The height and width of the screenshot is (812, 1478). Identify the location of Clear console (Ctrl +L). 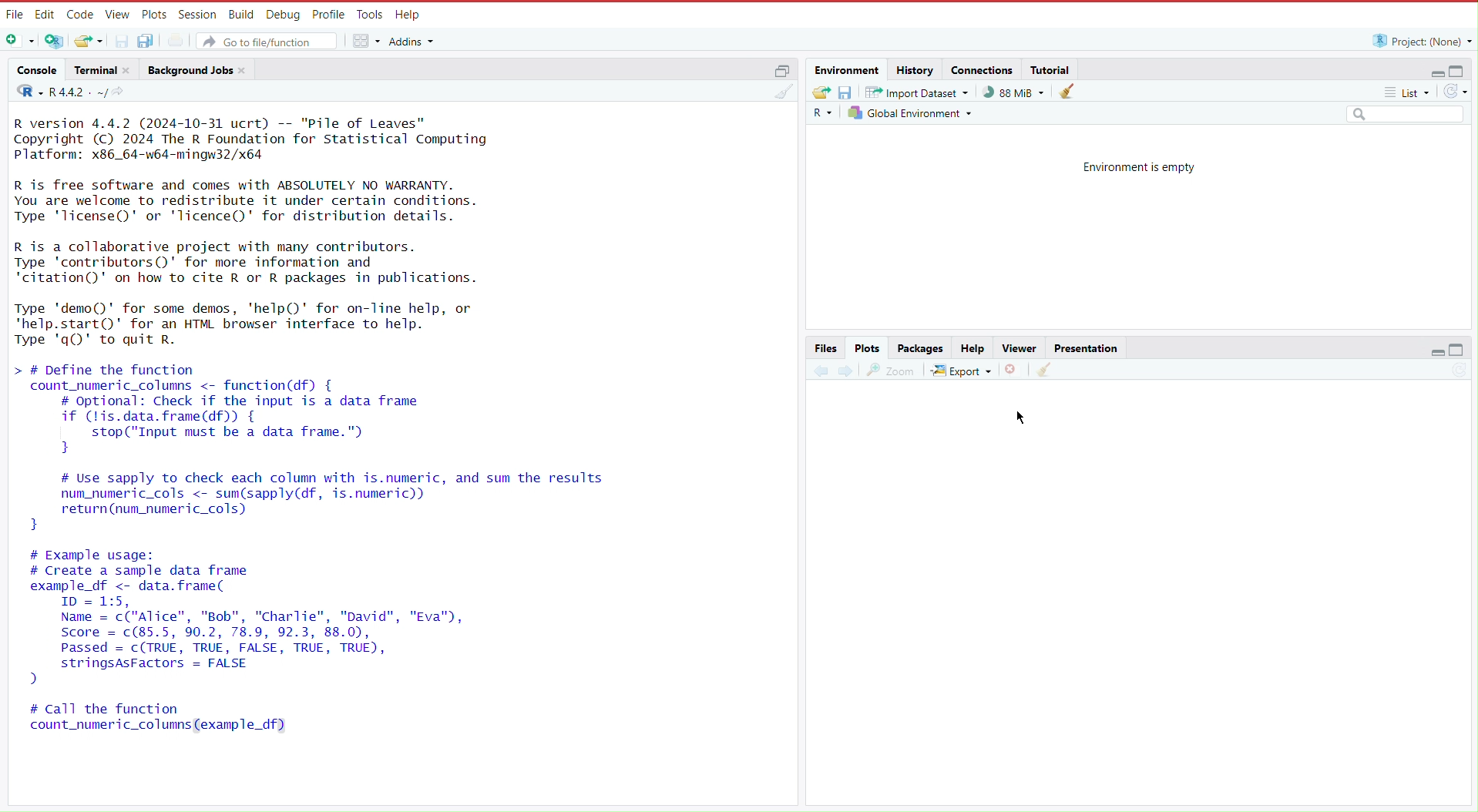
(1043, 370).